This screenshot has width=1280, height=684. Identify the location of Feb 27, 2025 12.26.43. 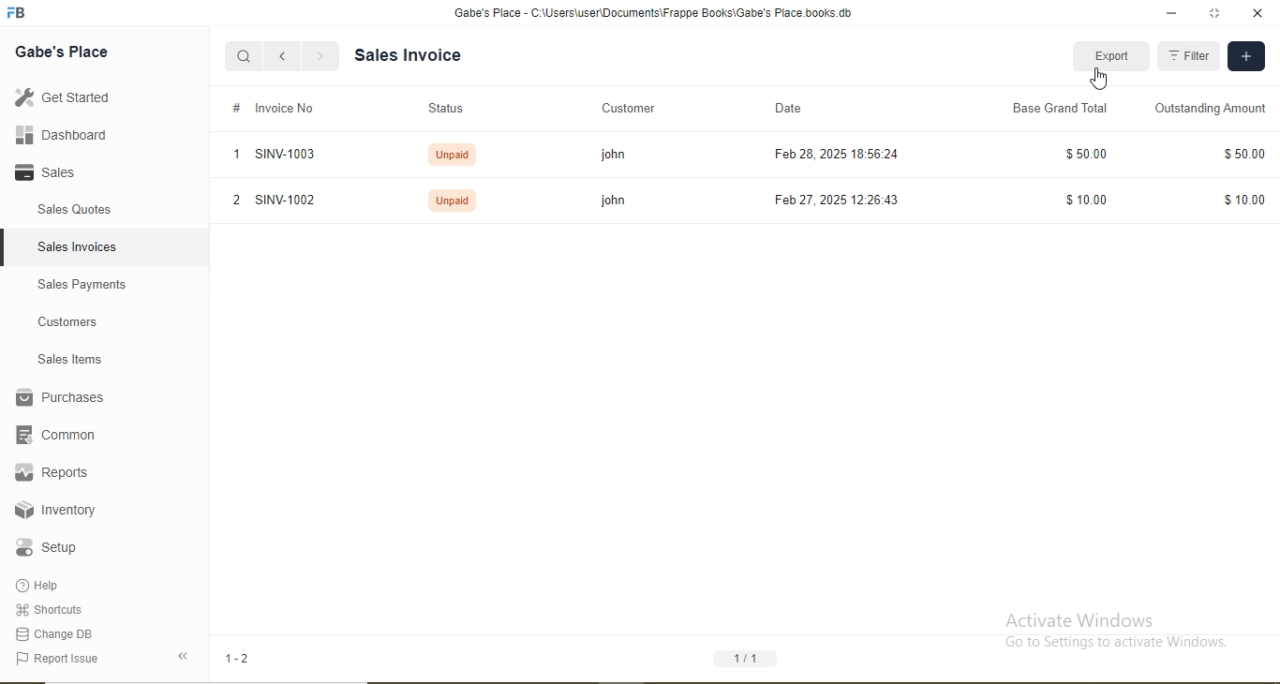
(826, 198).